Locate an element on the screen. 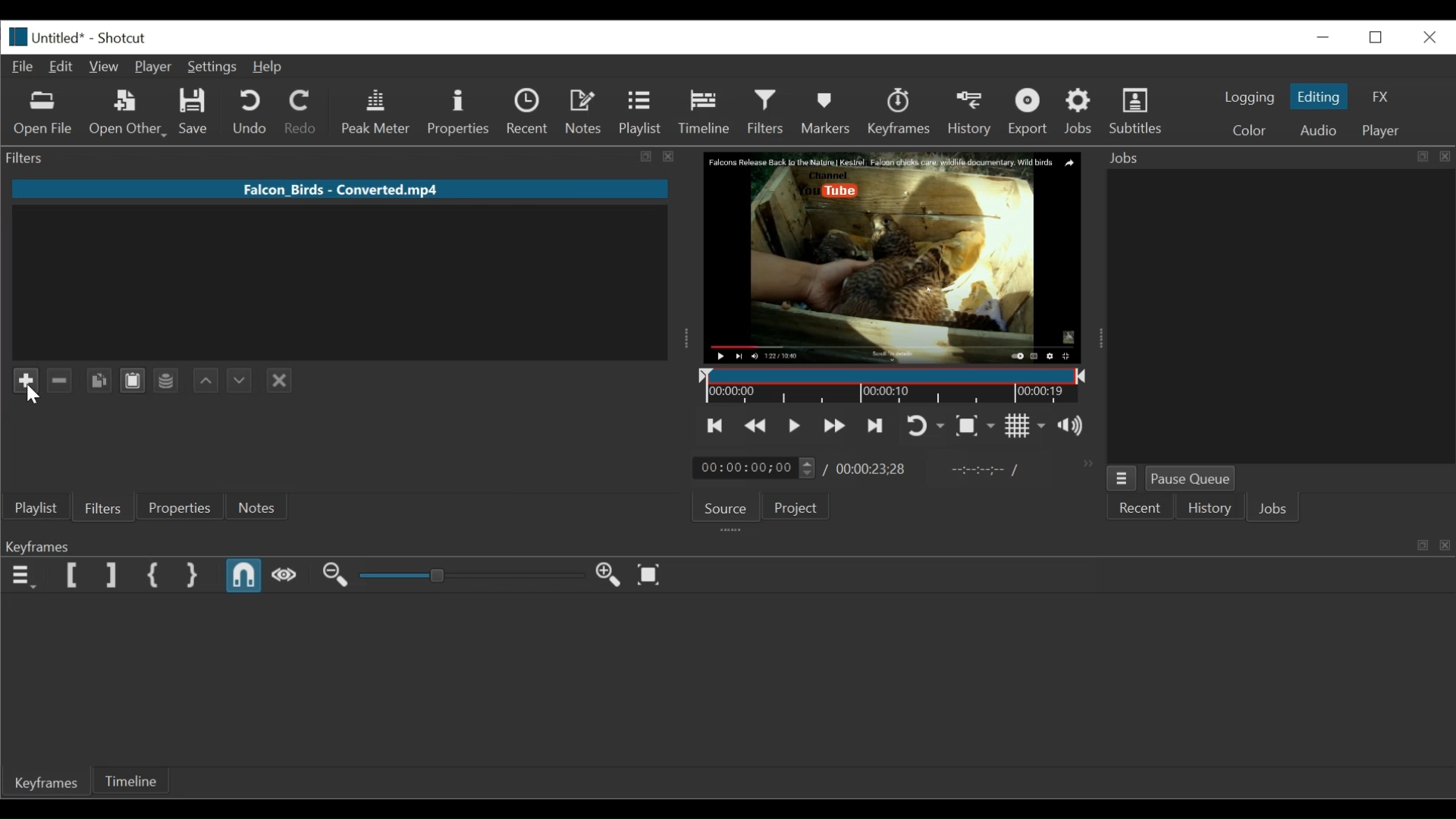 The image size is (1456, 819). Set Second Simple Keyframe is located at coordinates (190, 575).